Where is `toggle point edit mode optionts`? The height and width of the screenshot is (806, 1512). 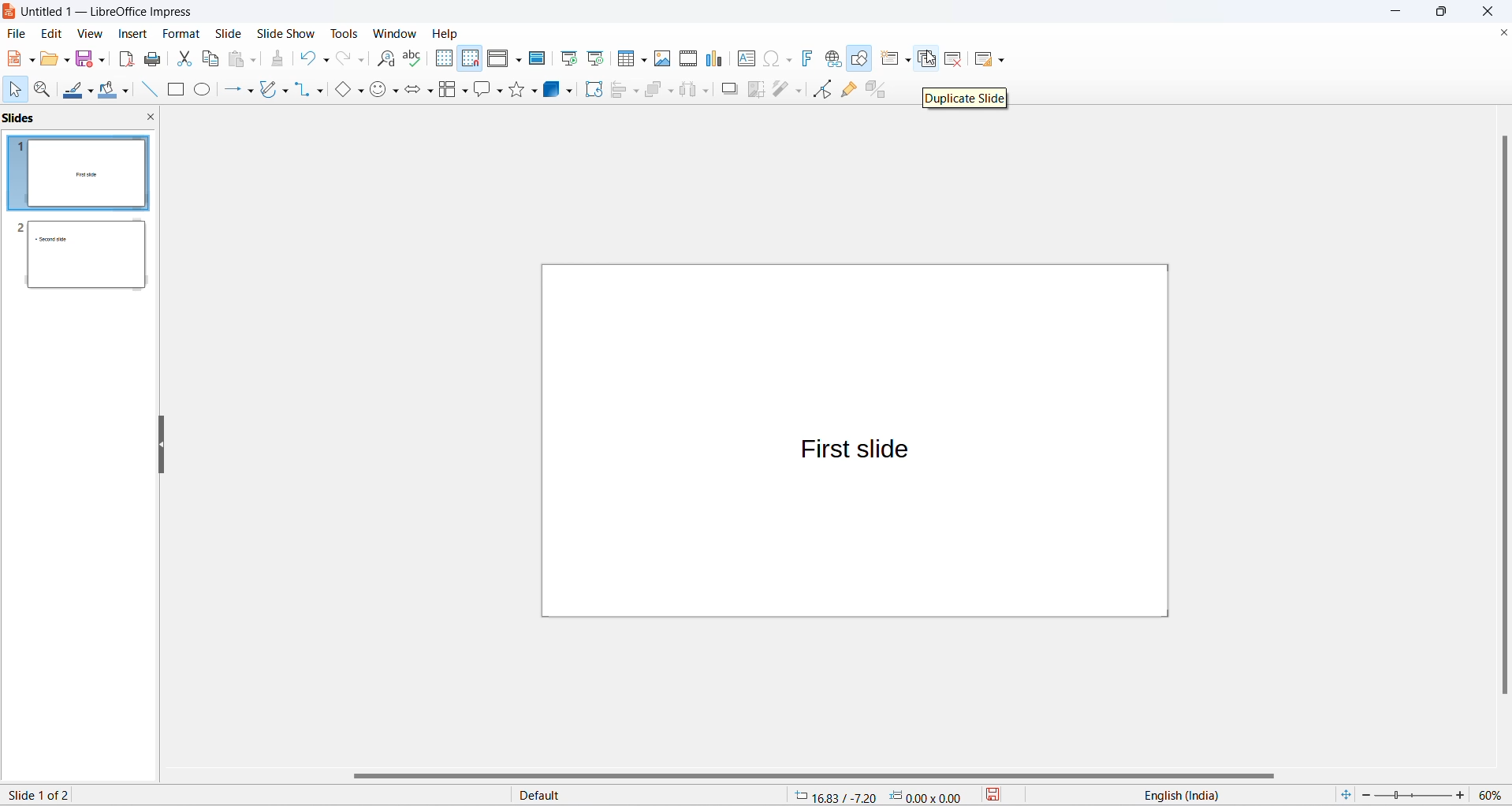 toggle point edit mode optionts is located at coordinates (796, 91).